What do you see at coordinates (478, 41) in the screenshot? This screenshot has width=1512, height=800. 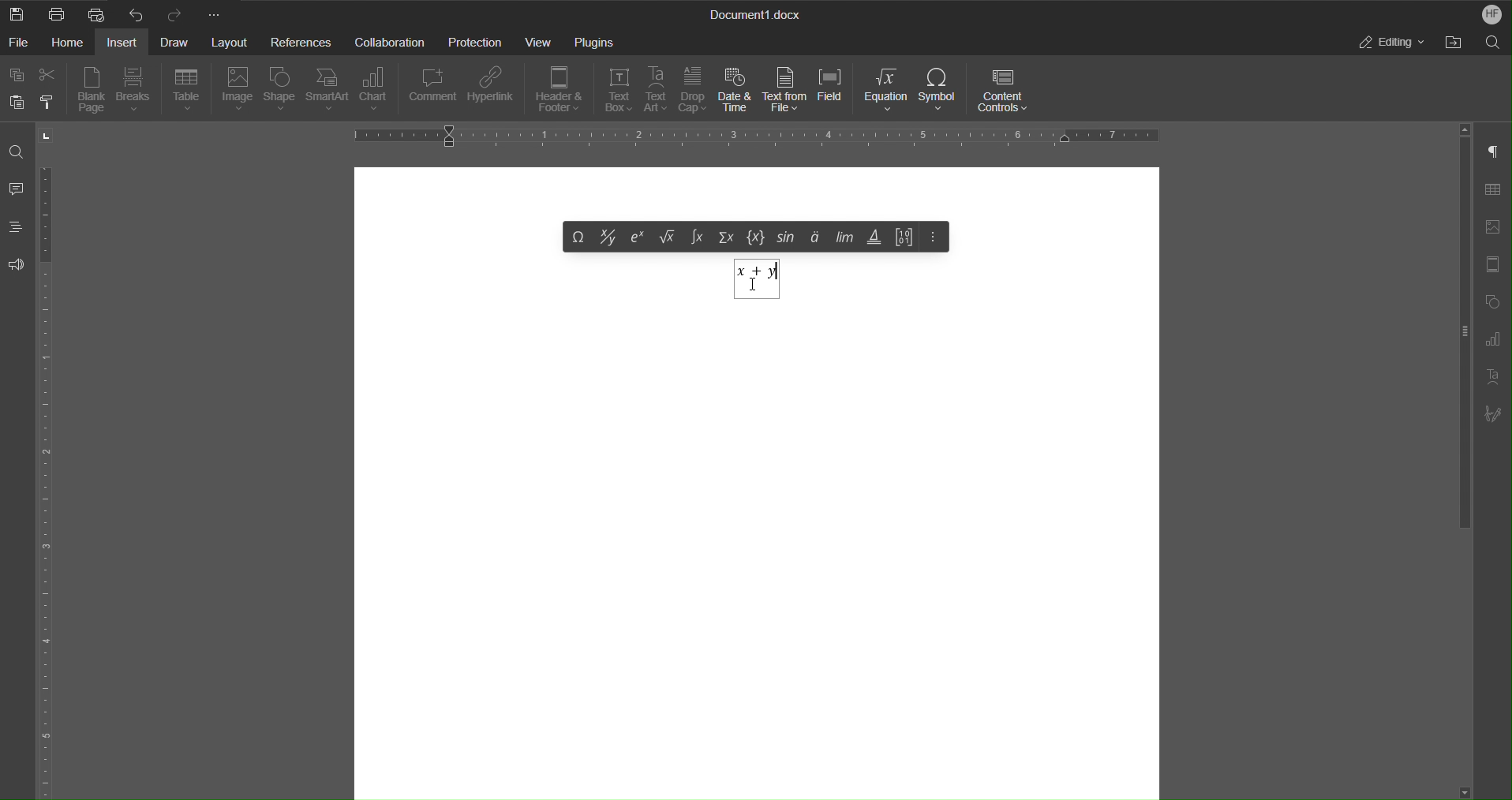 I see `Protection` at bounding box center [478, 41].